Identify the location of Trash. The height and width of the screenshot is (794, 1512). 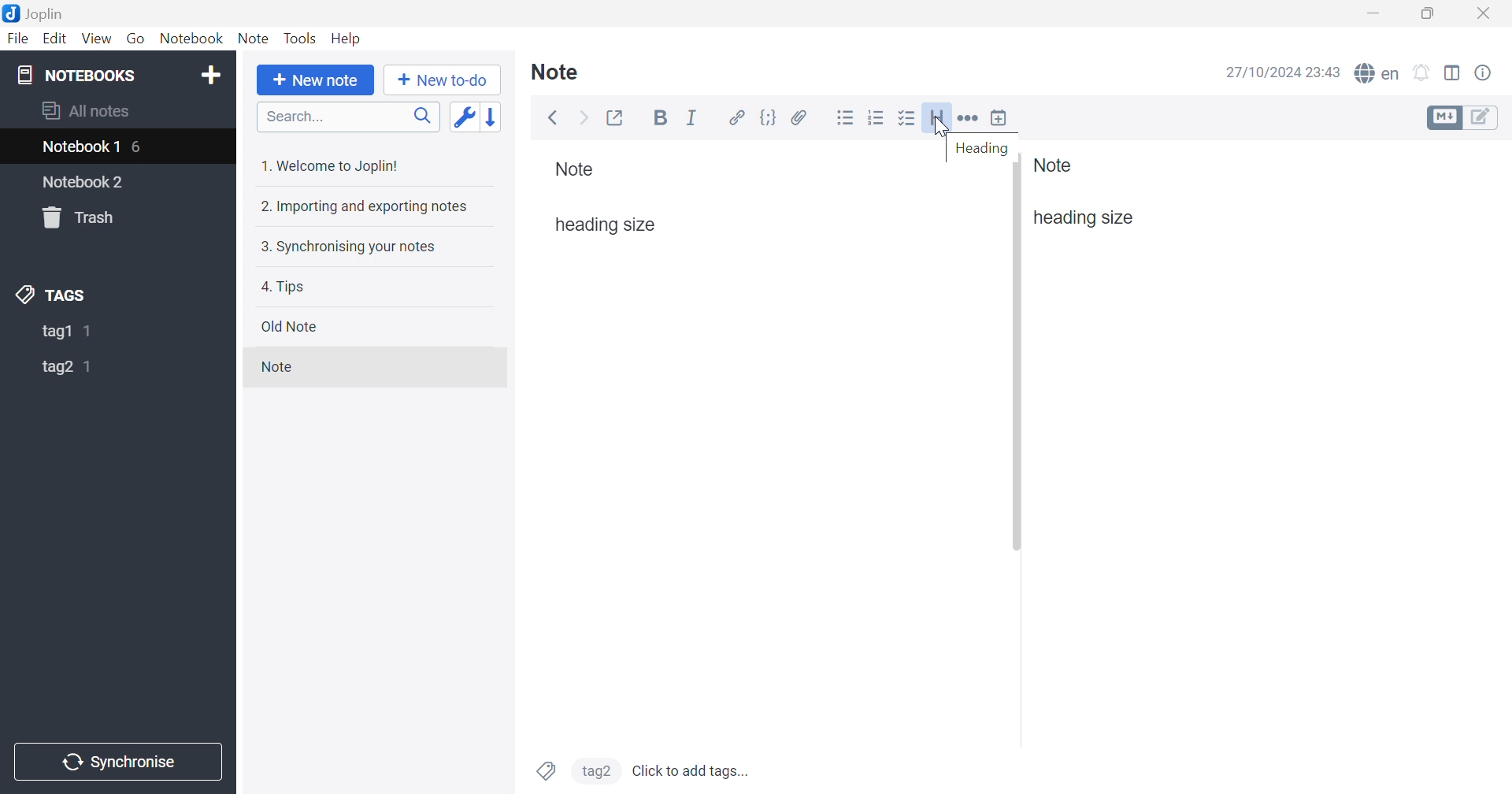
(76, 216).